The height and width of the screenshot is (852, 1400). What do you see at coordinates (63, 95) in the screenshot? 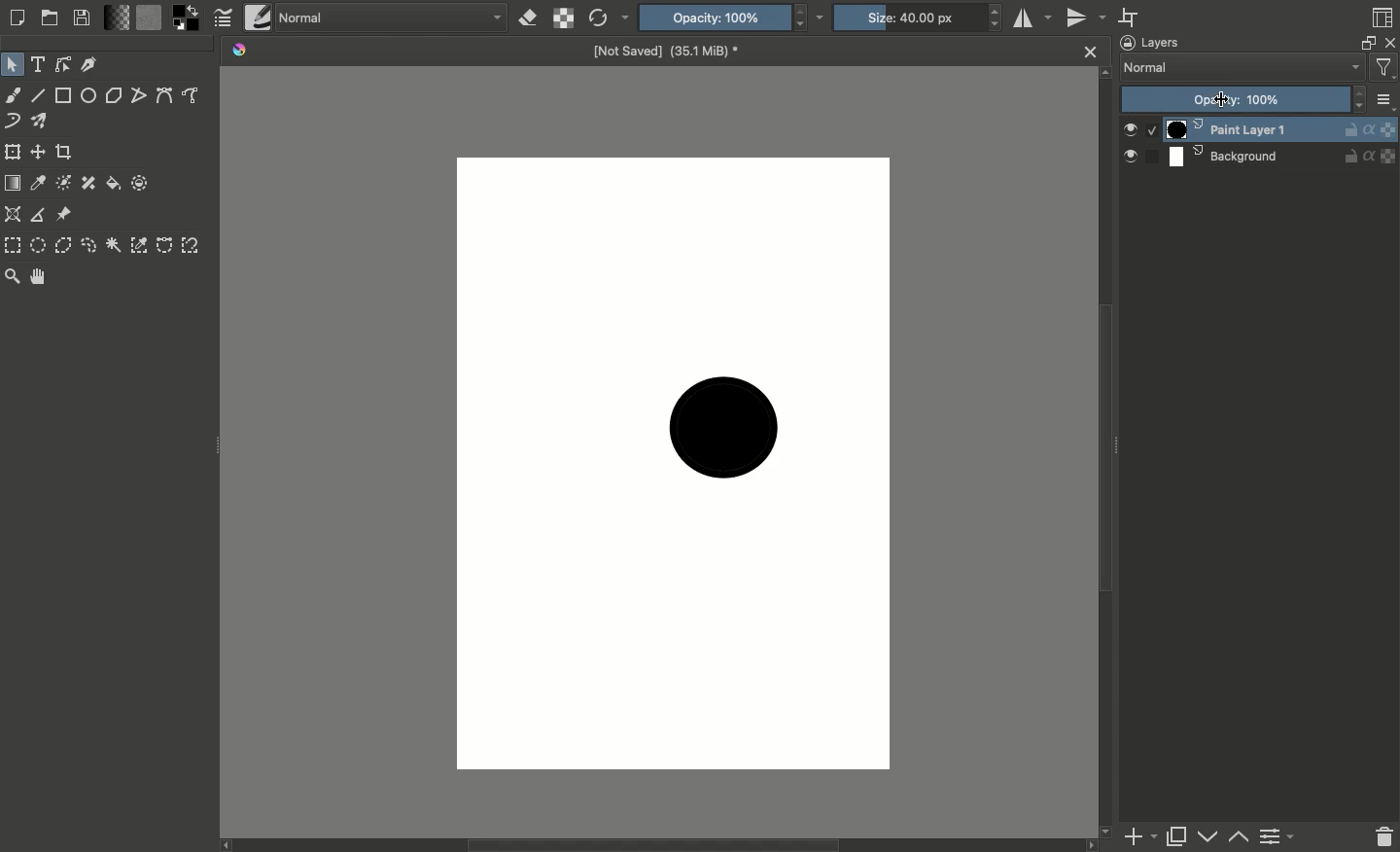
I see `Rectangle` at bounding box center [63, 95].